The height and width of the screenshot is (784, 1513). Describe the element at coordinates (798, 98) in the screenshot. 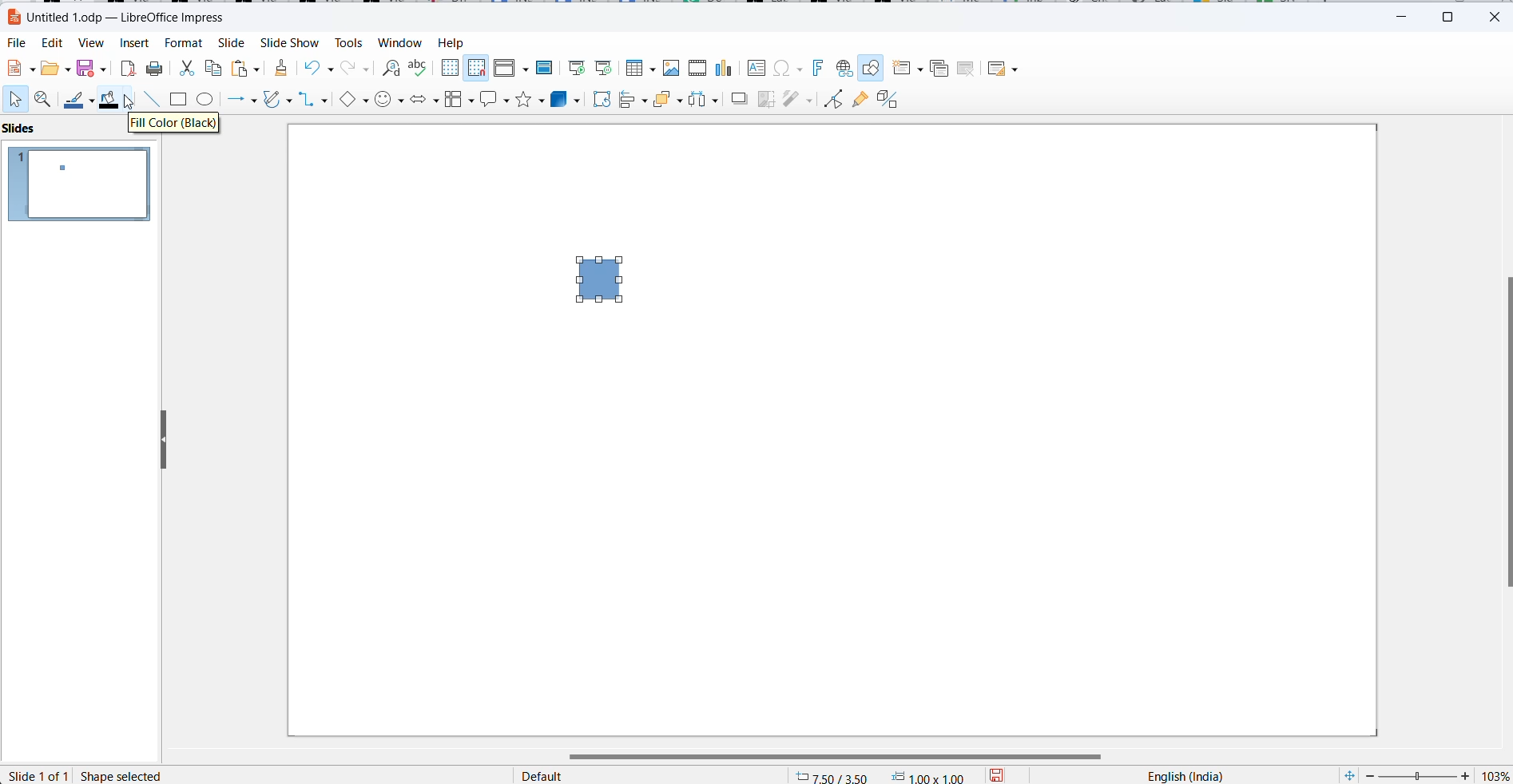

I see `filters` at that location.